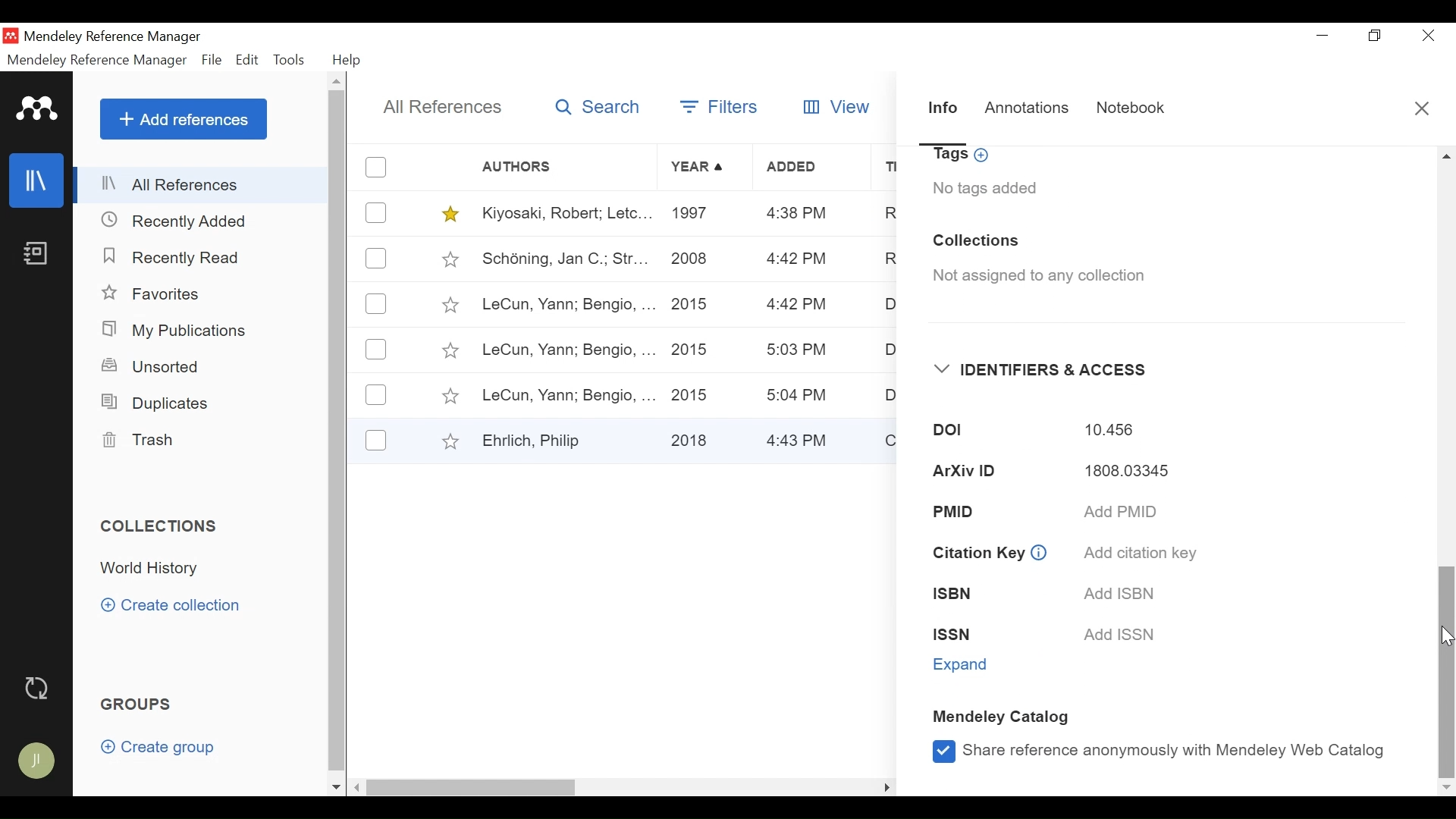 Image resolution: width=1456 pixels, height=819 pixels. Describe the element at coordinates (985, 188) in the screenshot. I see `No tags added` at that location.